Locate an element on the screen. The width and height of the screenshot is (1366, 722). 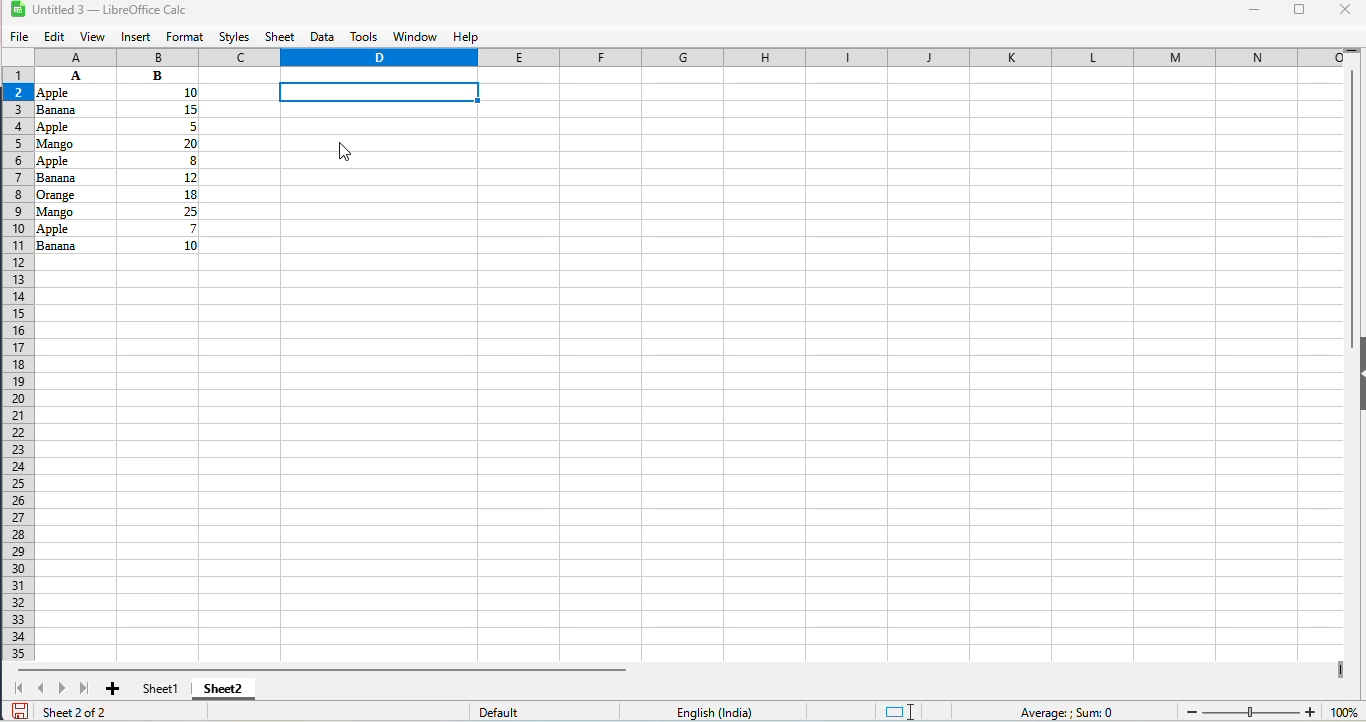
zoom factor is located at coordinates (1346, 712).